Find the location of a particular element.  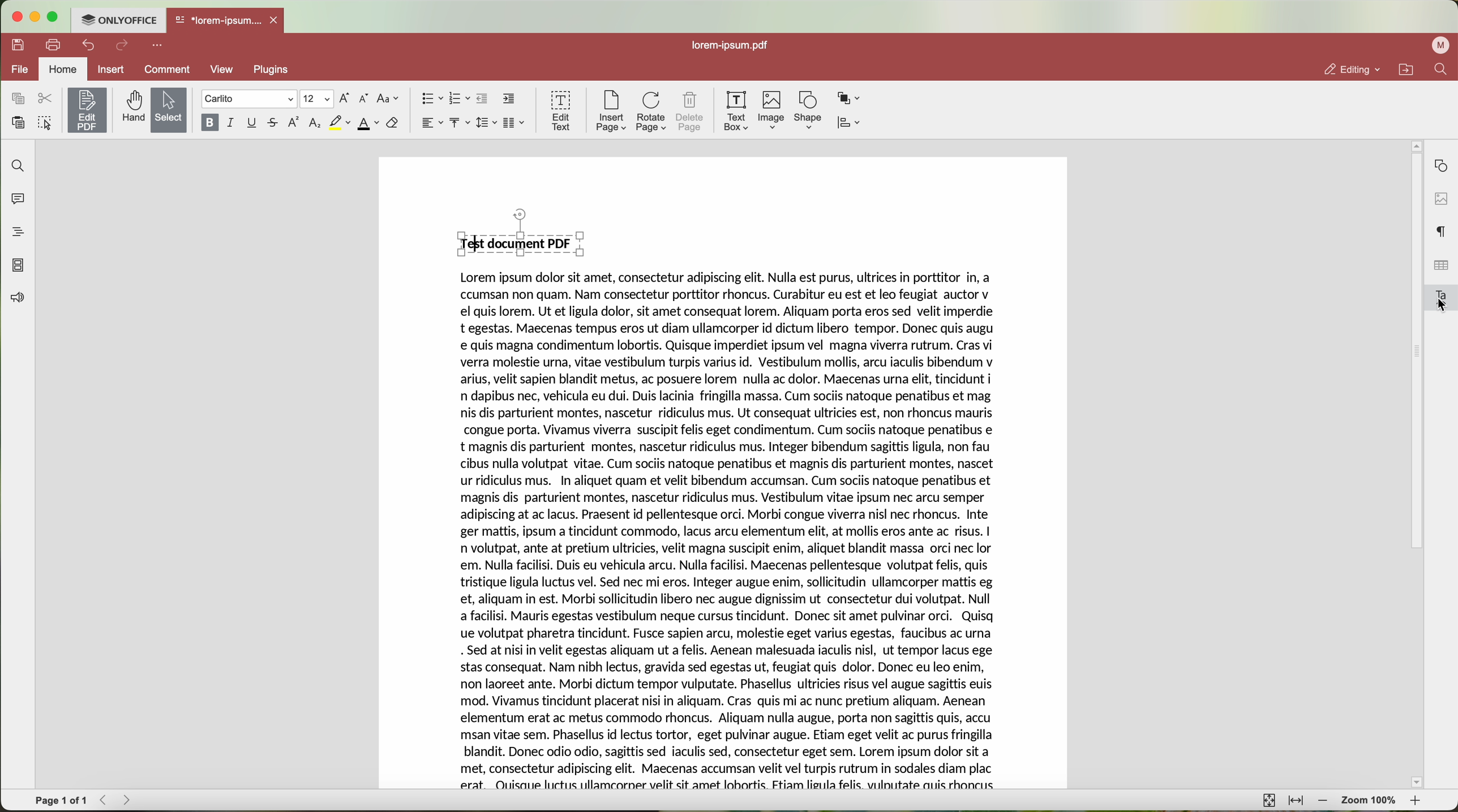

paragraph settings is located at coordinates (1442, 231).